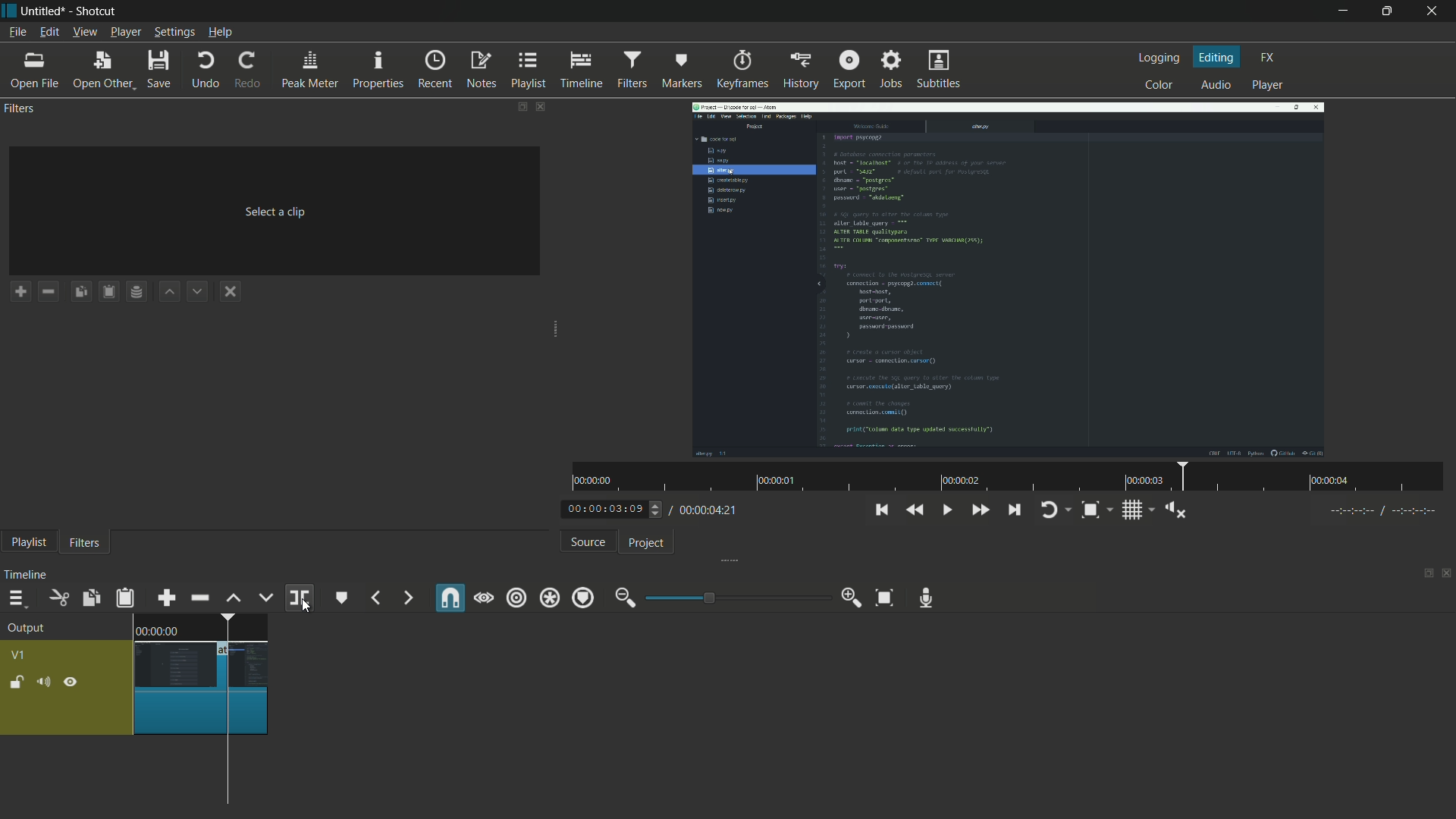 This screenshot has height=819, width=1456. I want to click on toggle grid, so click(1134, 510).